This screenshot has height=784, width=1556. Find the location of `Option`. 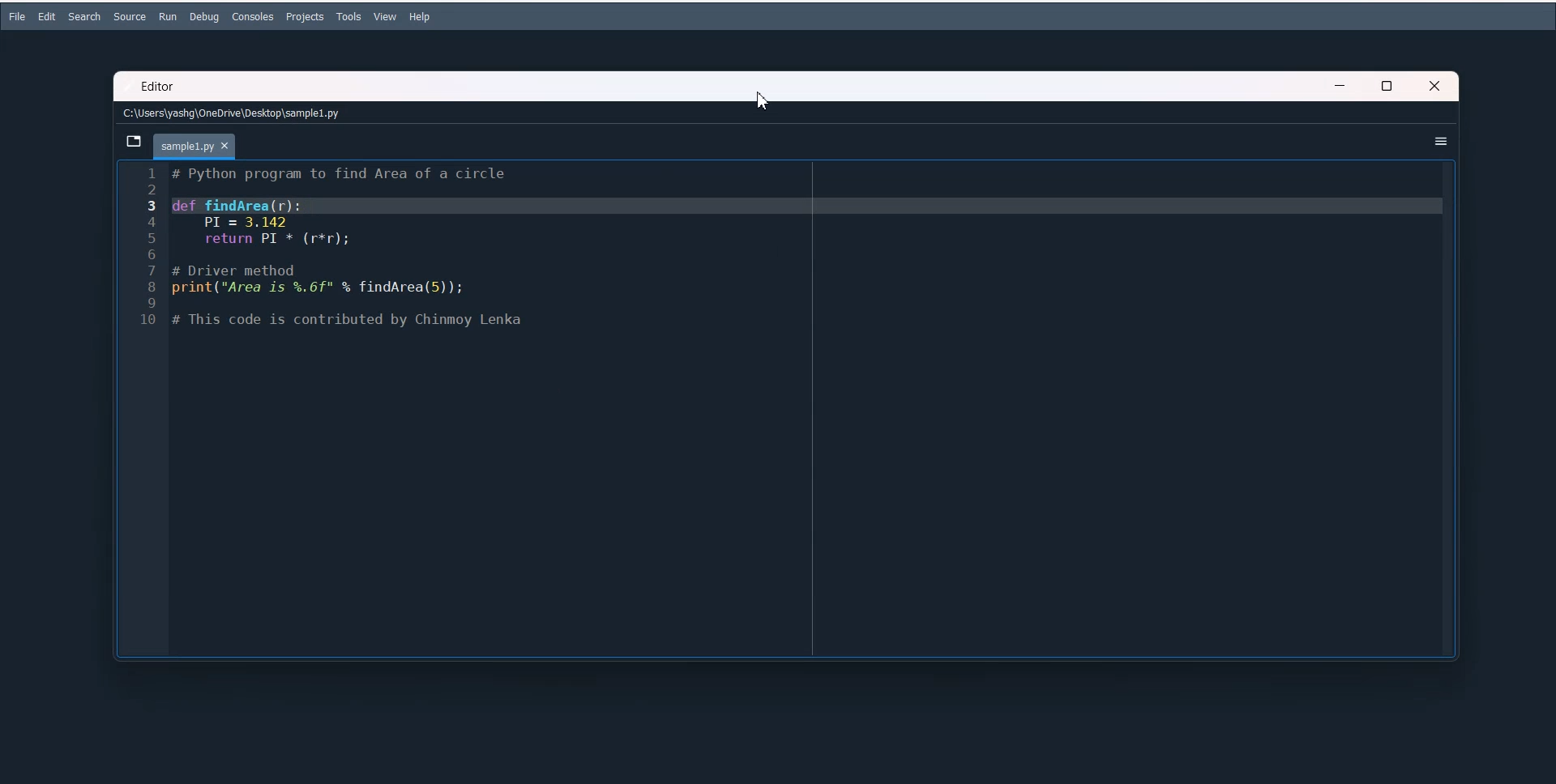

Option is located at coordinates (1442, 140).